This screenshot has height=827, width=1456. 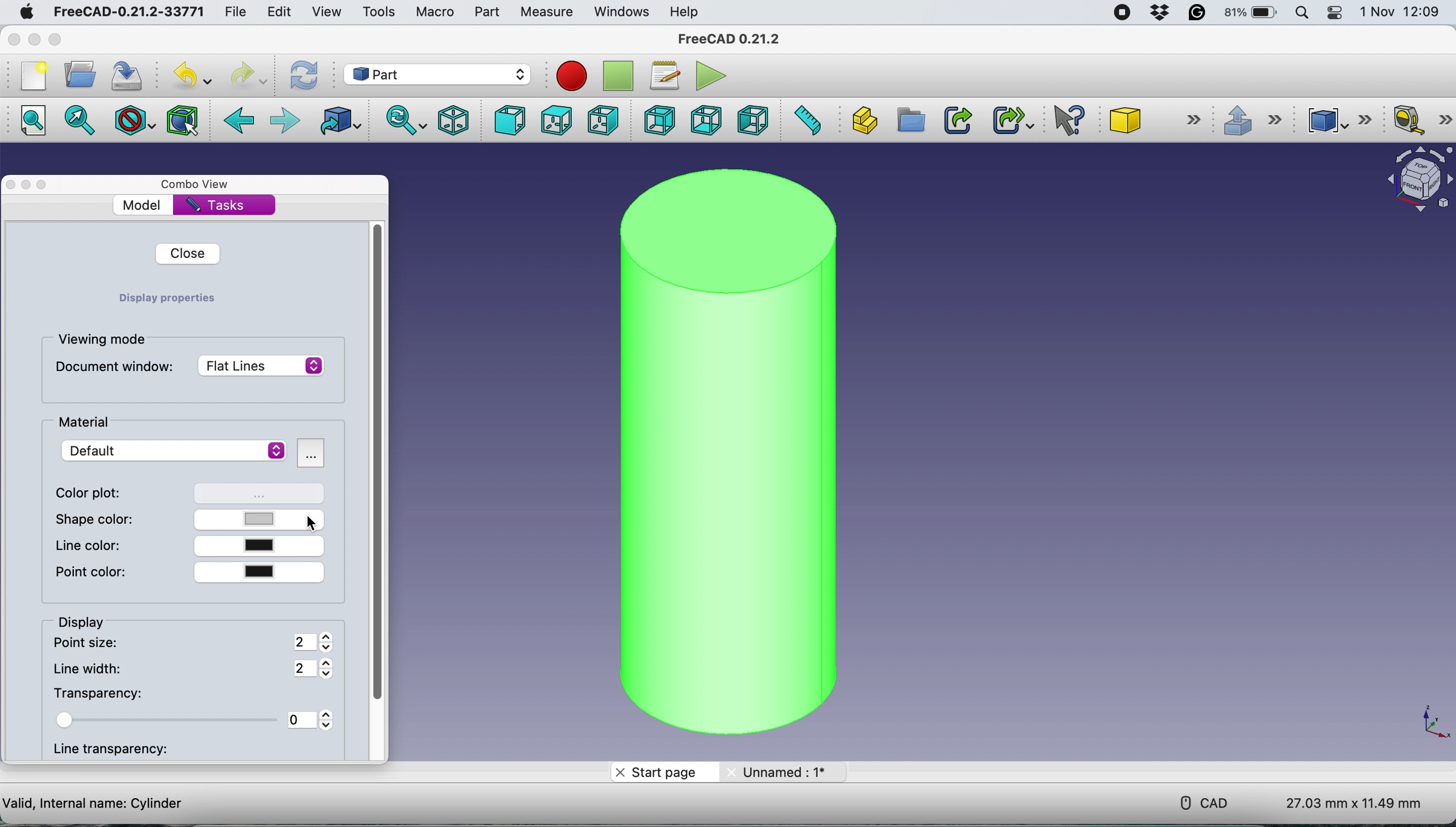 What do you see at coordinates (28, 12) in the screenshot?
I see `system logo` at bounding box center [28, 12].